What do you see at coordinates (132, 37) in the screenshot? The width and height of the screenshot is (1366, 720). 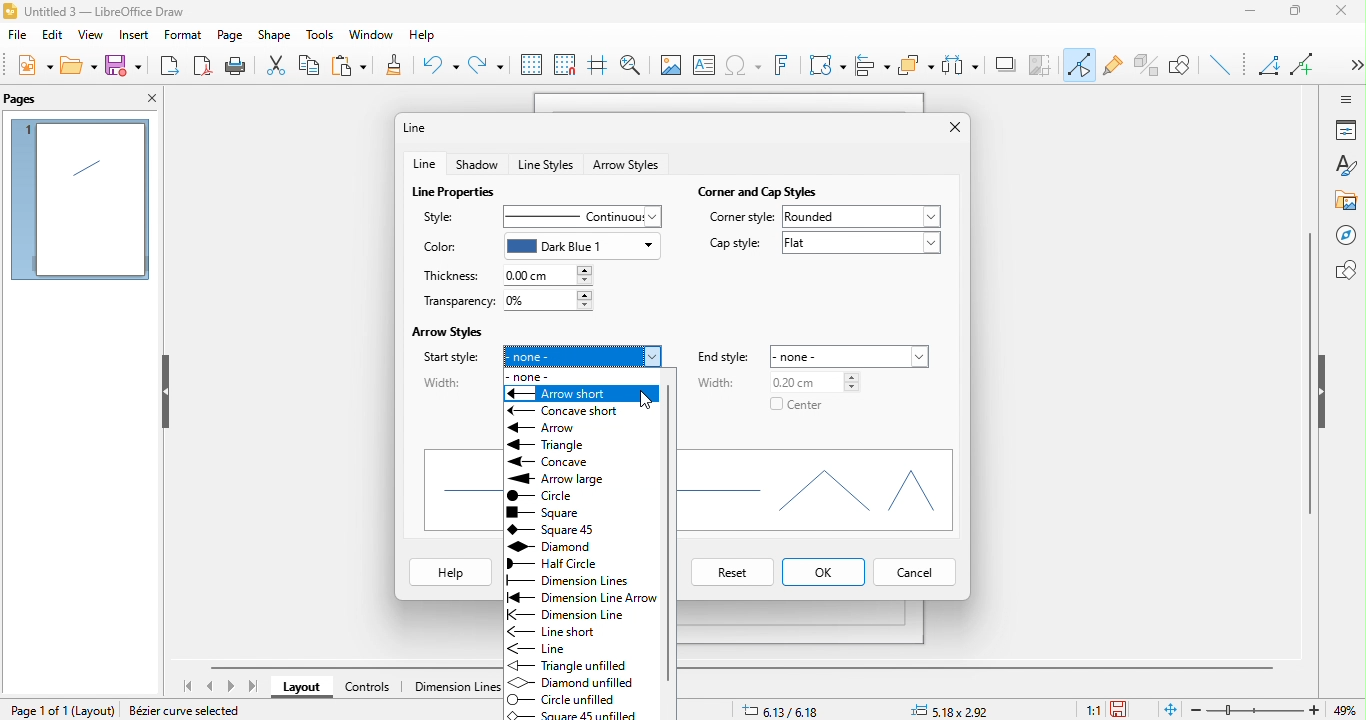 I see `insert` at bounding box center [132, 37].